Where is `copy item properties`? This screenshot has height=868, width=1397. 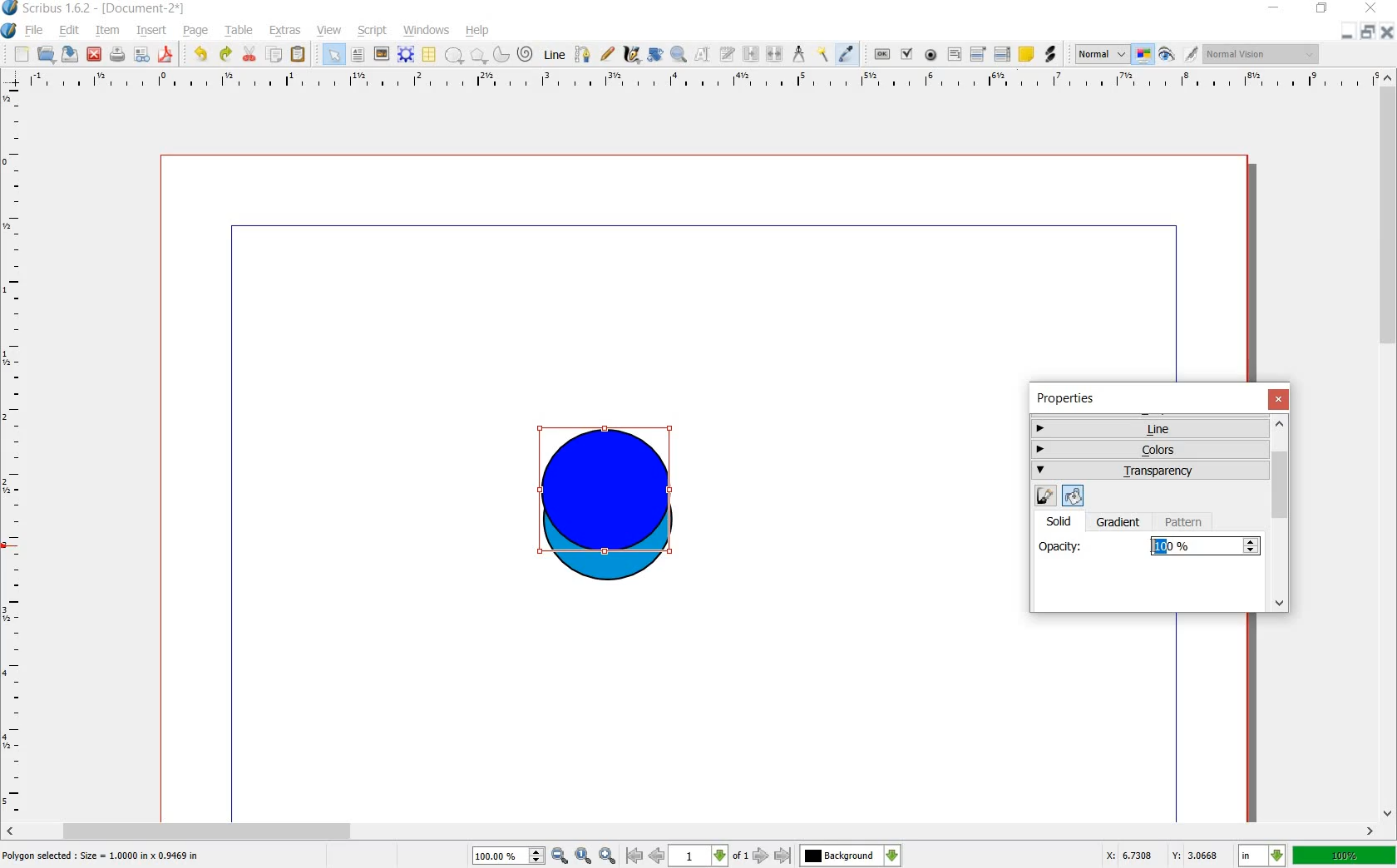 copy item properties is located at coordinates (823, 56).